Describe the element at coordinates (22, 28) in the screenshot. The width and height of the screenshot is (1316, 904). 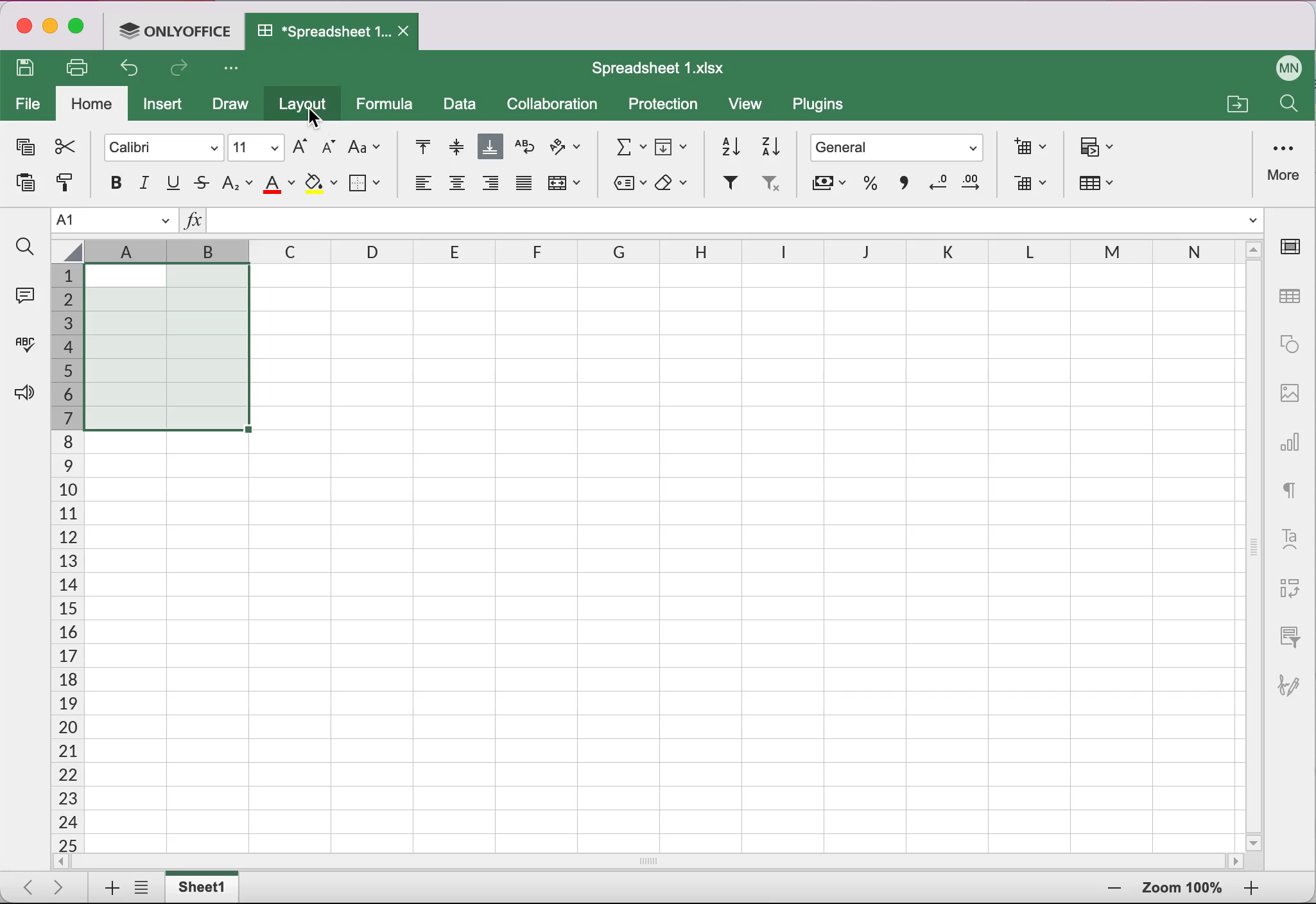
I see `close` at that location.